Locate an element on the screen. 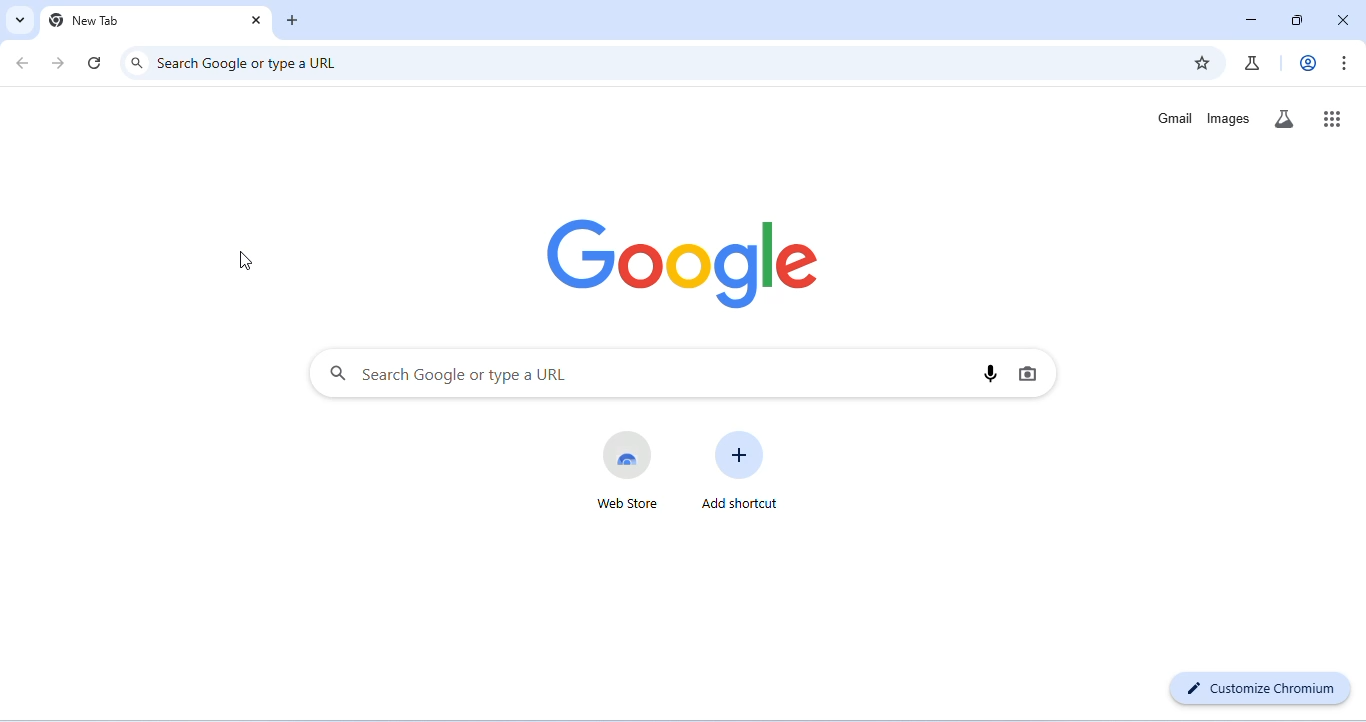  add bookmarks is located at coordinates (1200, 63).